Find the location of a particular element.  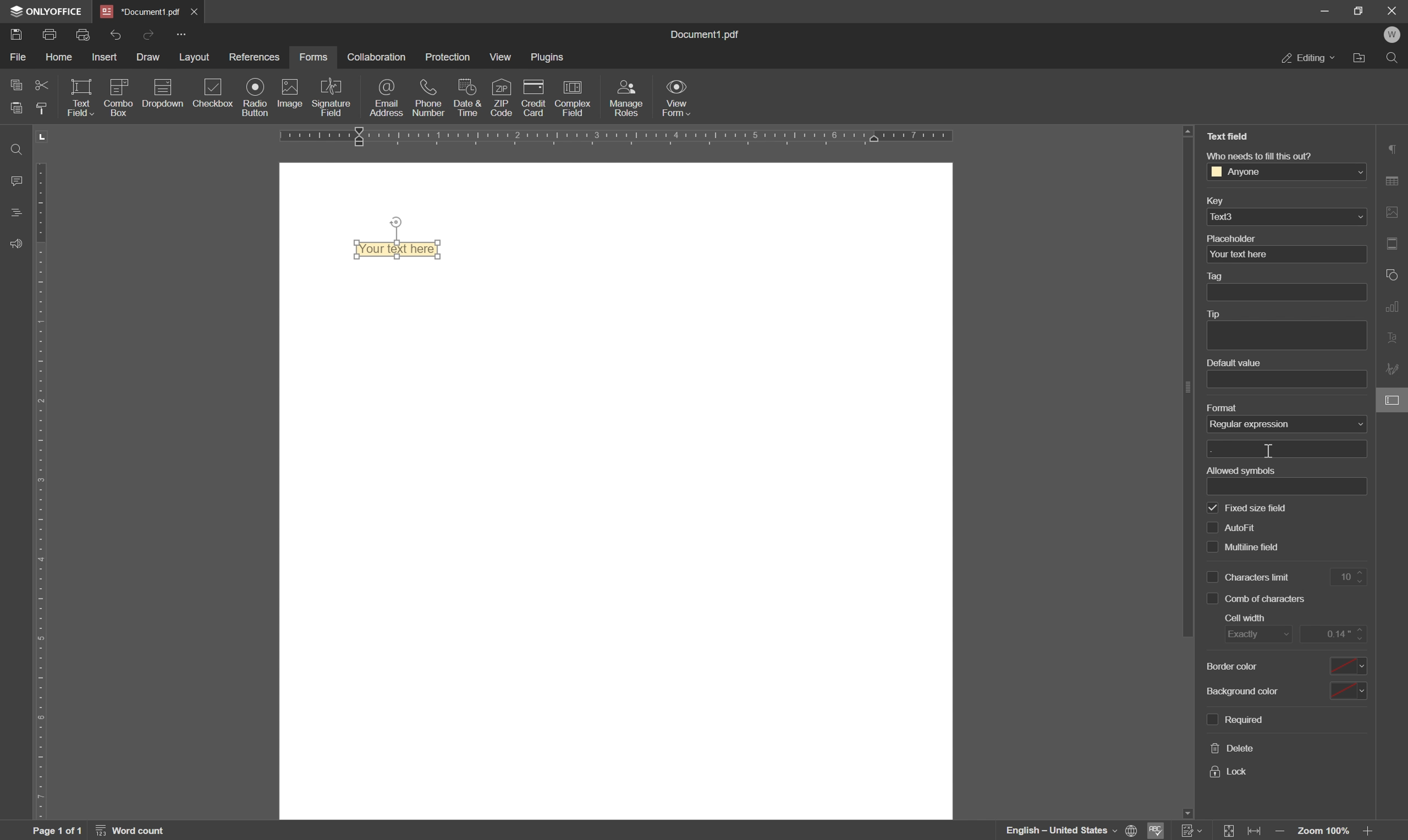

chart settings is located at coordinates (1395, 308).